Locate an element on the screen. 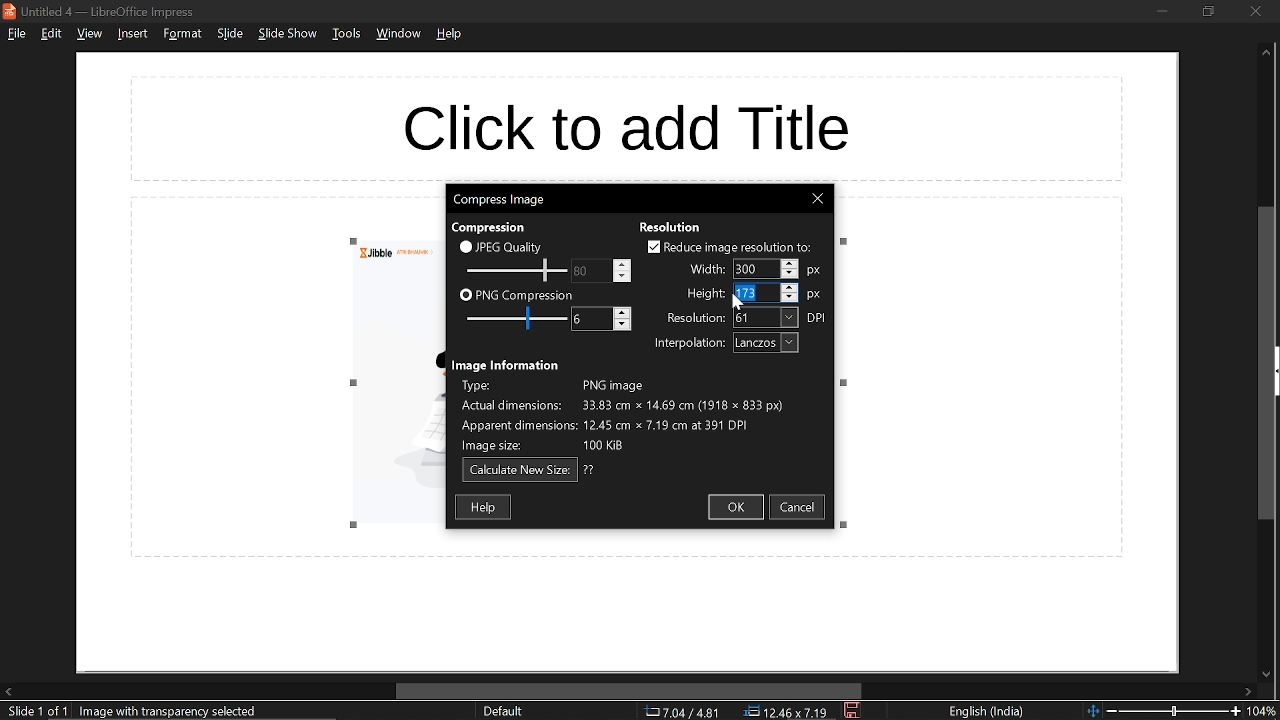  horizontal scrollbar is located at coordinates (625, 690).